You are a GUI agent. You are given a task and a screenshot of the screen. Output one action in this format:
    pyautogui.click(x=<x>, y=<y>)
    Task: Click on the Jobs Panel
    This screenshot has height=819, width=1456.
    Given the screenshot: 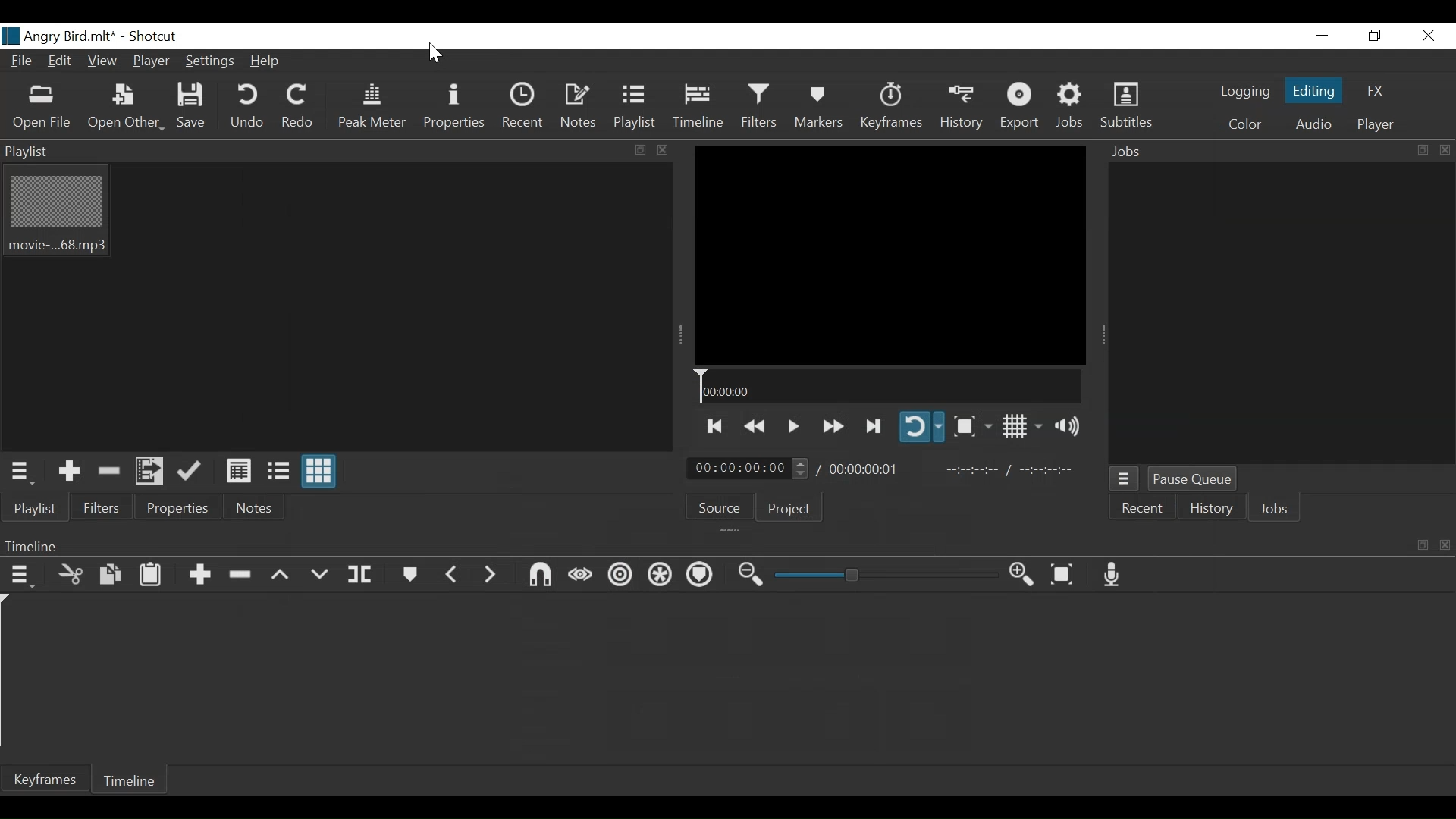 What is the action you would take?
    pyautogui.click(x=1278, y=312)
    